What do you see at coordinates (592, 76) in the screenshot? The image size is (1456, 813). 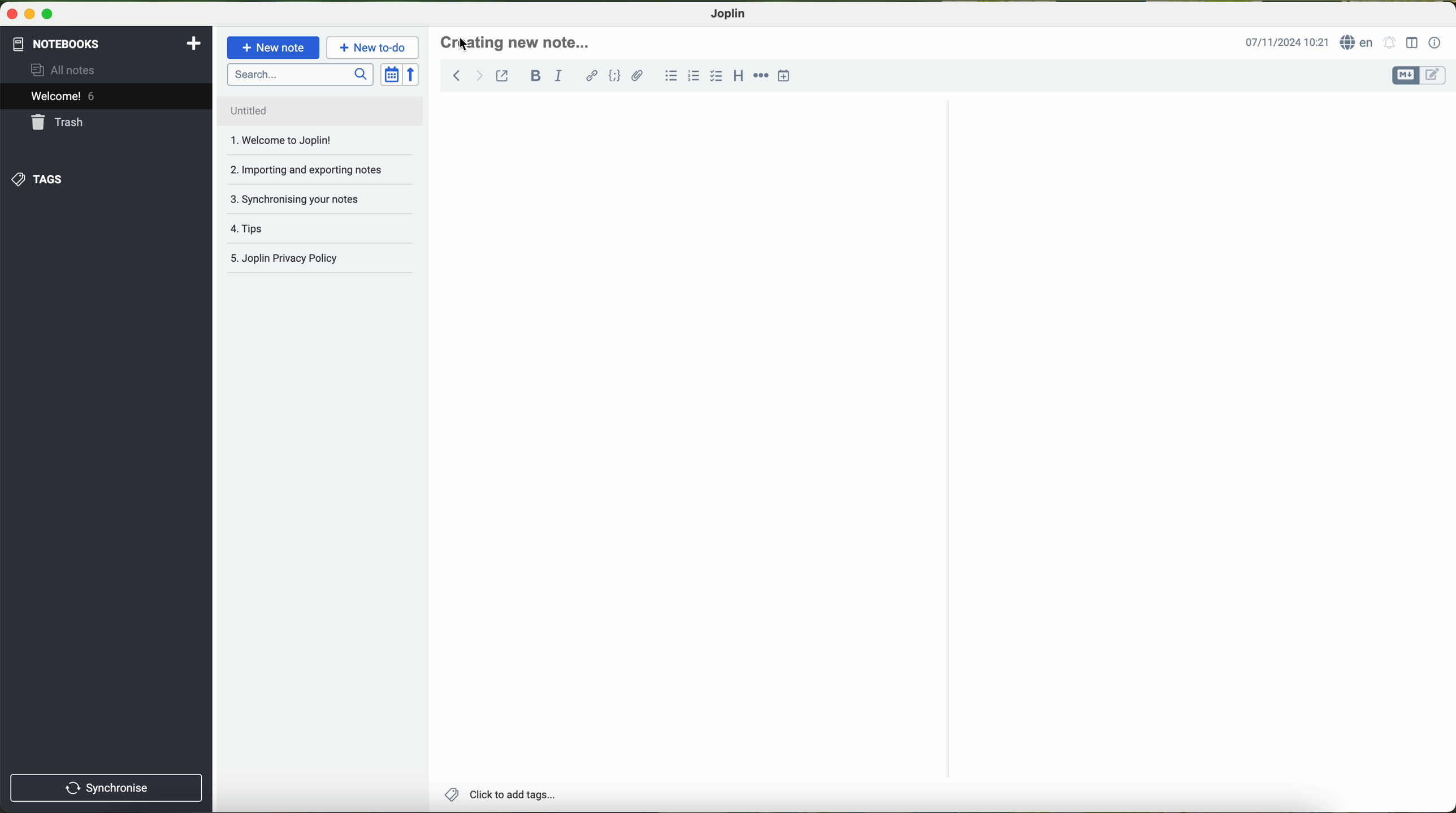 I see `hyperlink` at bounding box center [592, 76].